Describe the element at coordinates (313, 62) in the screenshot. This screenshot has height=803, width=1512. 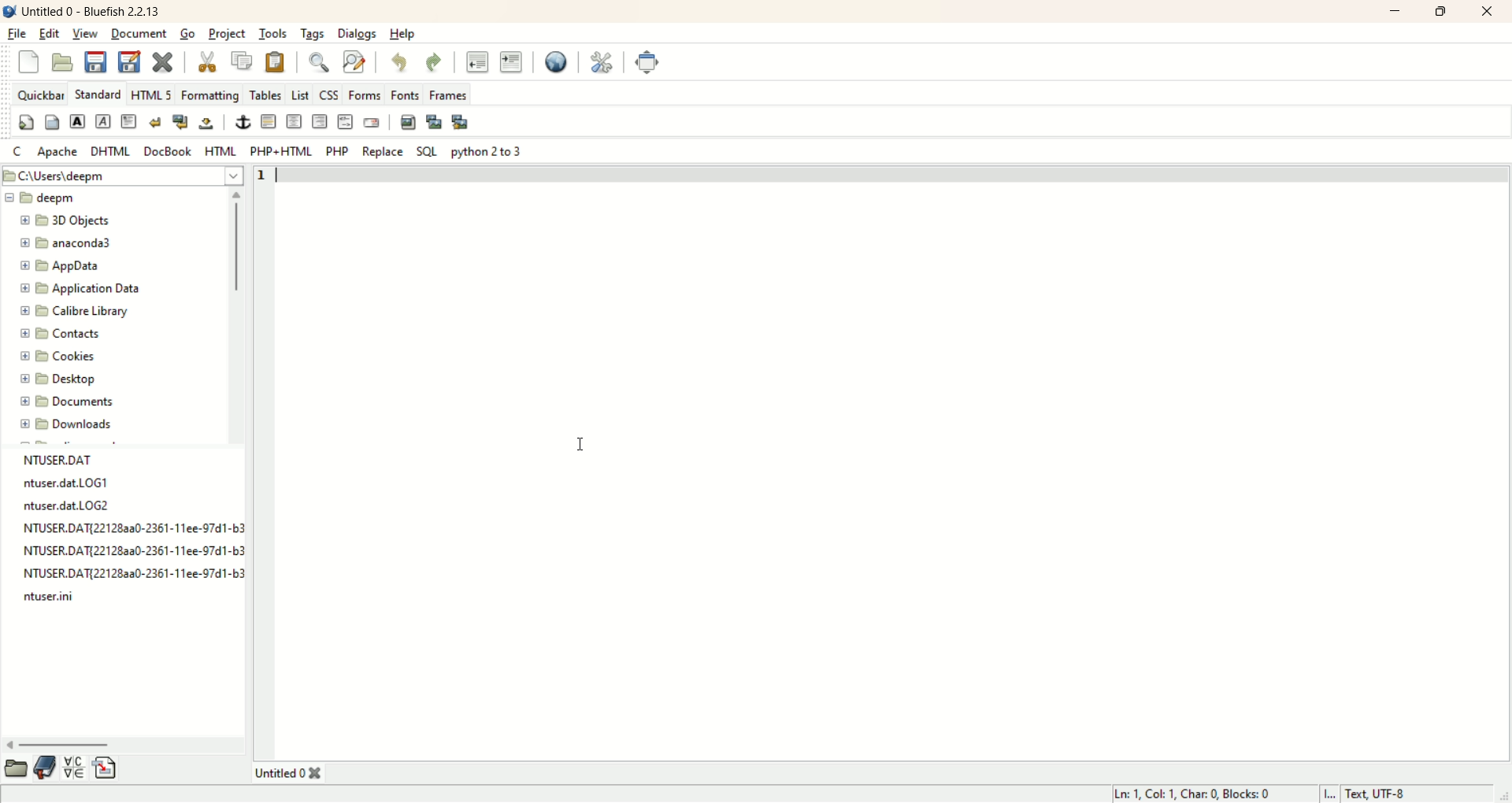
I see `show find bar` at that location.